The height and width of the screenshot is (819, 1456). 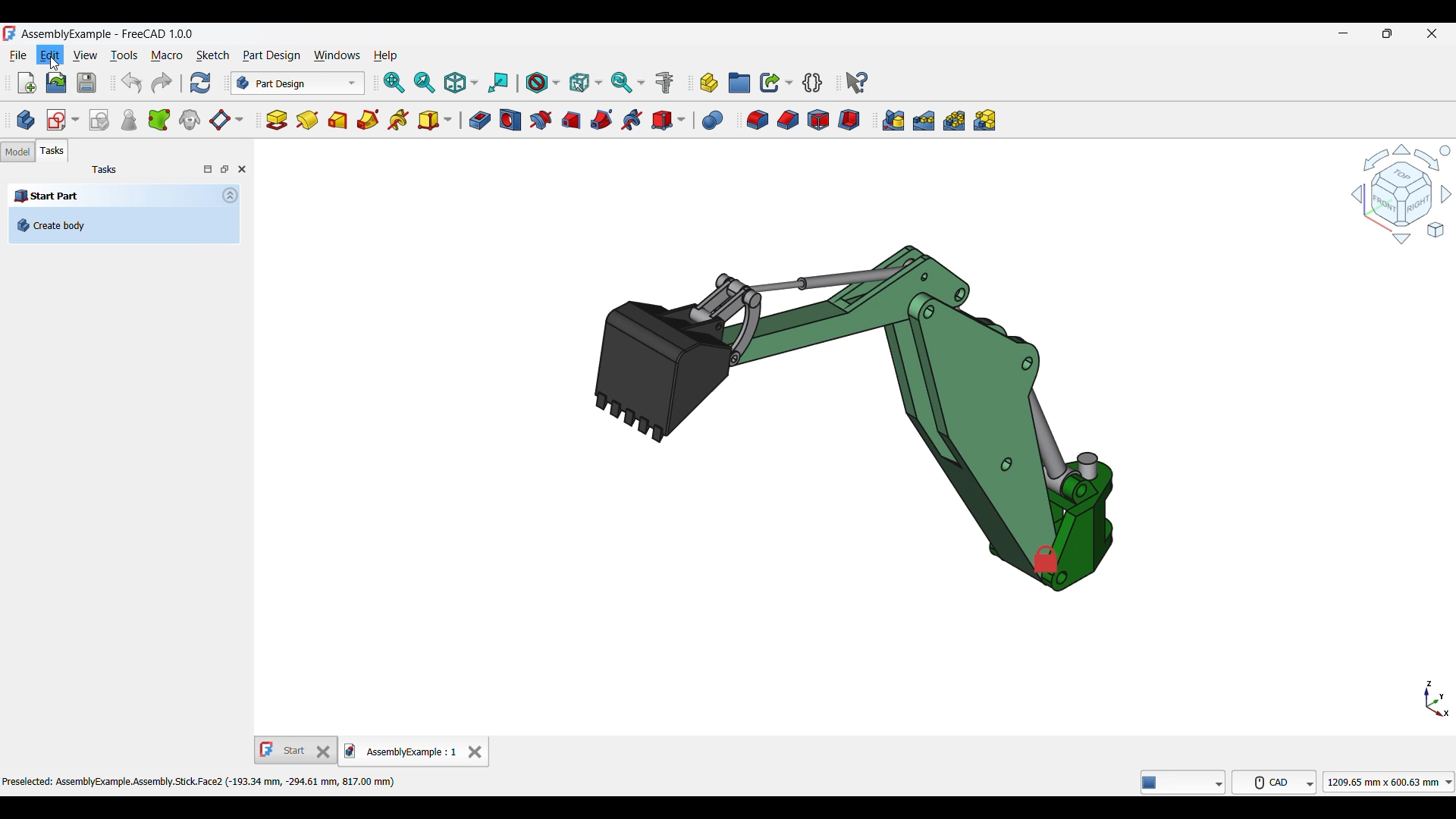 I want to click on Close, so click(x=242, y=169).